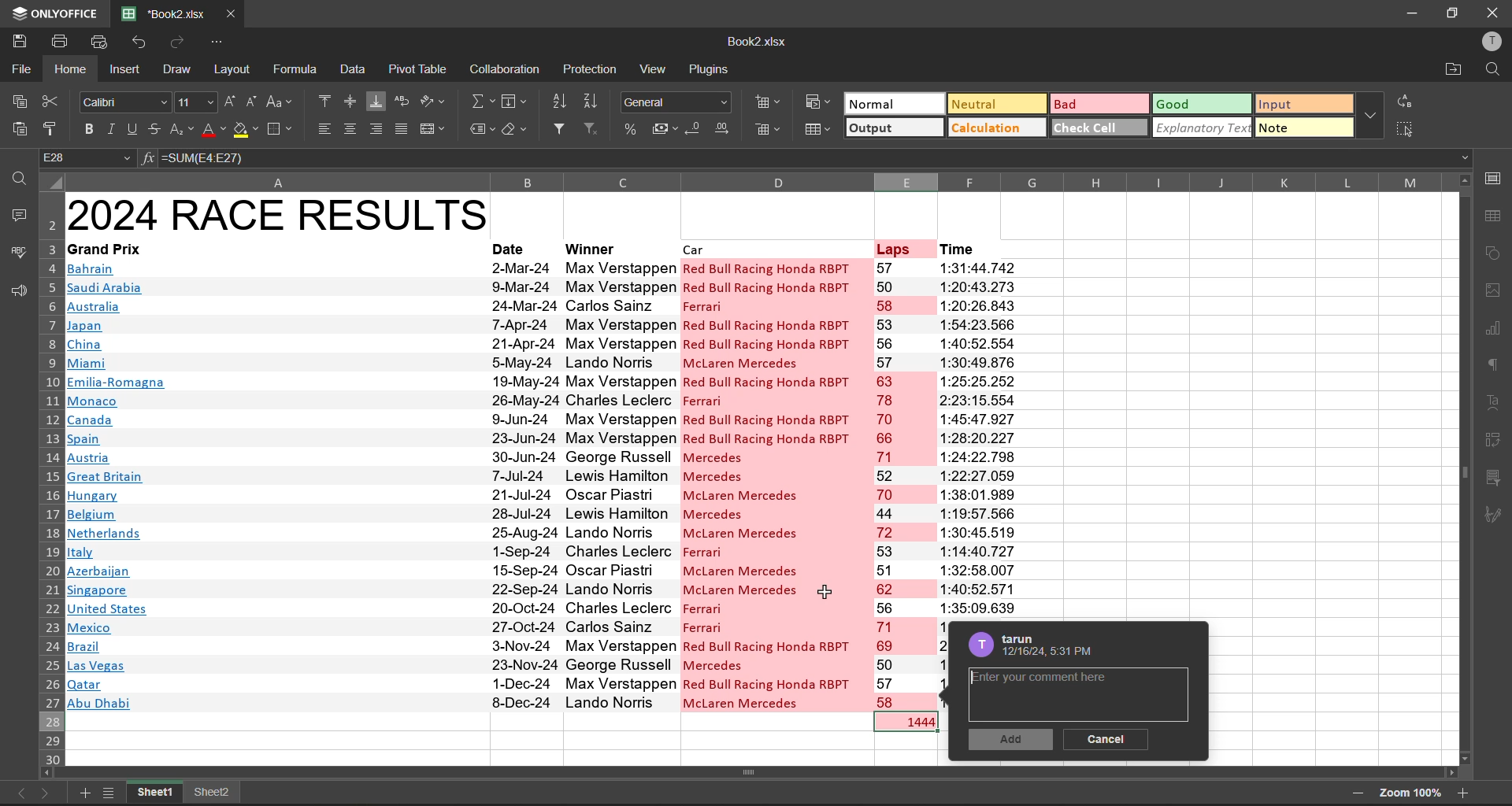 This screenshot has height=806, width=1512. Describe the element at coordinates (118, 486) in the screenshot. I see `Country names` at that location.